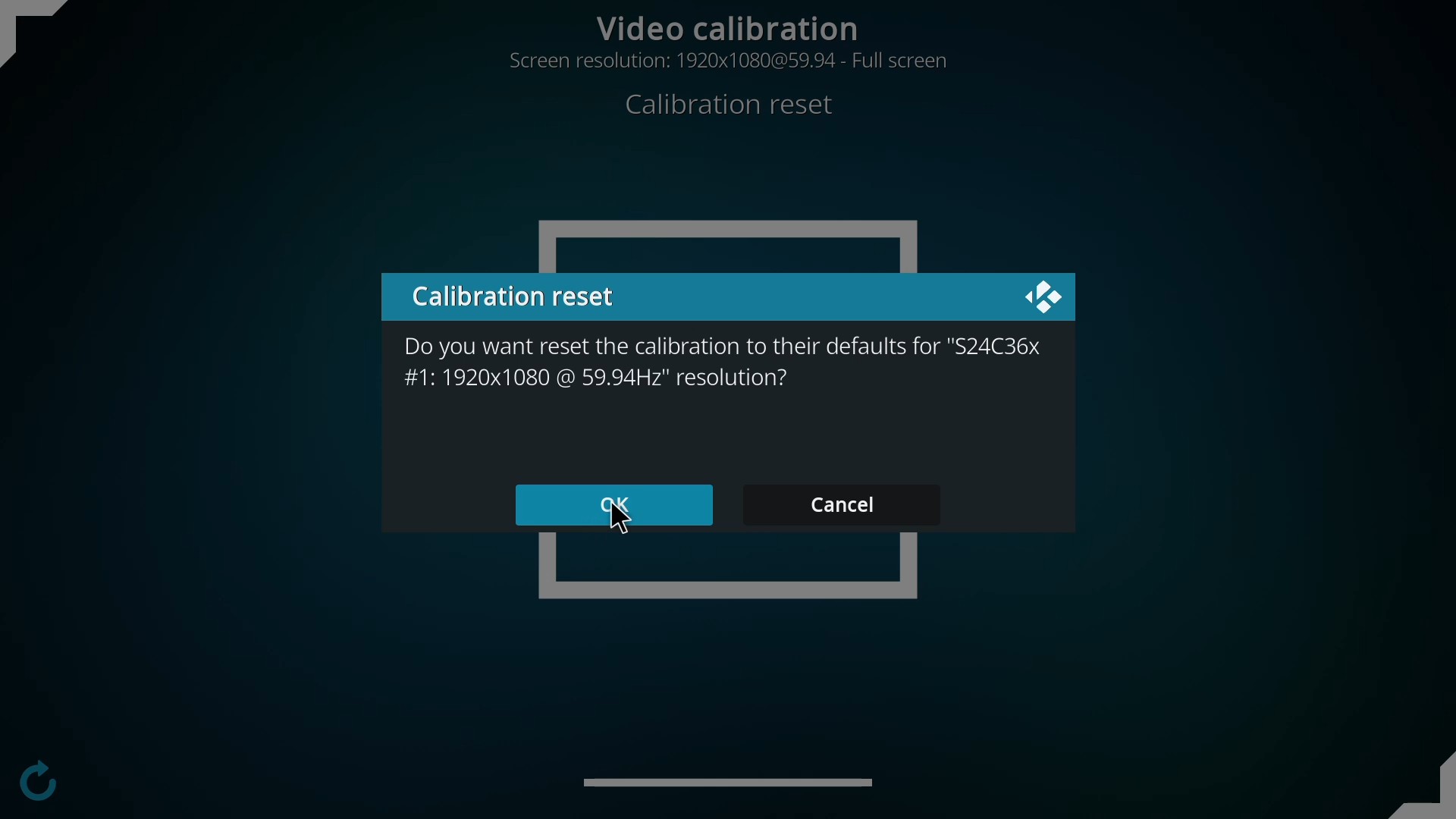 The height and width of the screenshot is (819, 1456). Describe the element at coordinates (1417, 783) in the screenshot. I see `adjust` at that location.